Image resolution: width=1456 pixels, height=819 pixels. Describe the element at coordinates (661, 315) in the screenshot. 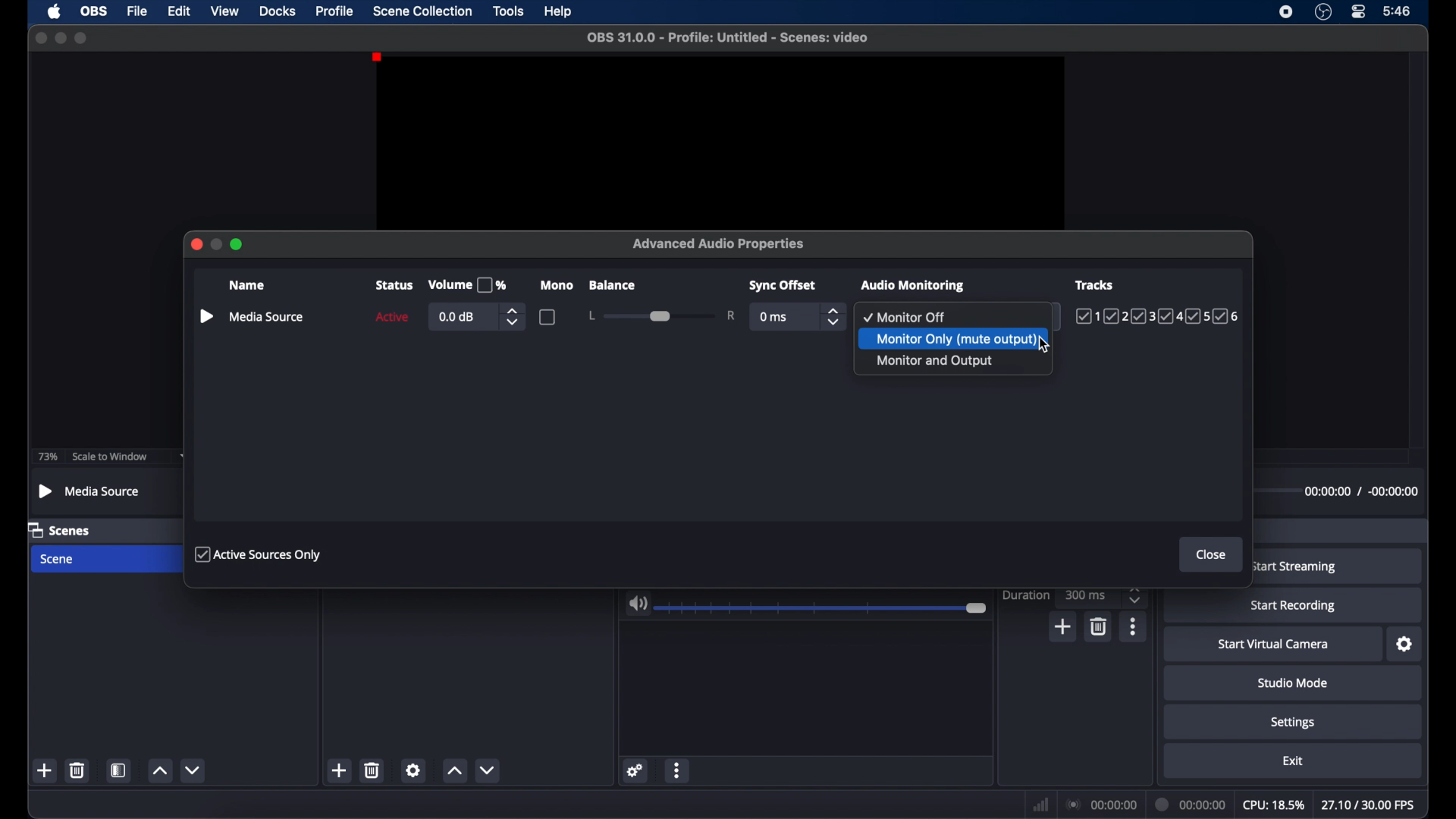

I see `slider` at that location.